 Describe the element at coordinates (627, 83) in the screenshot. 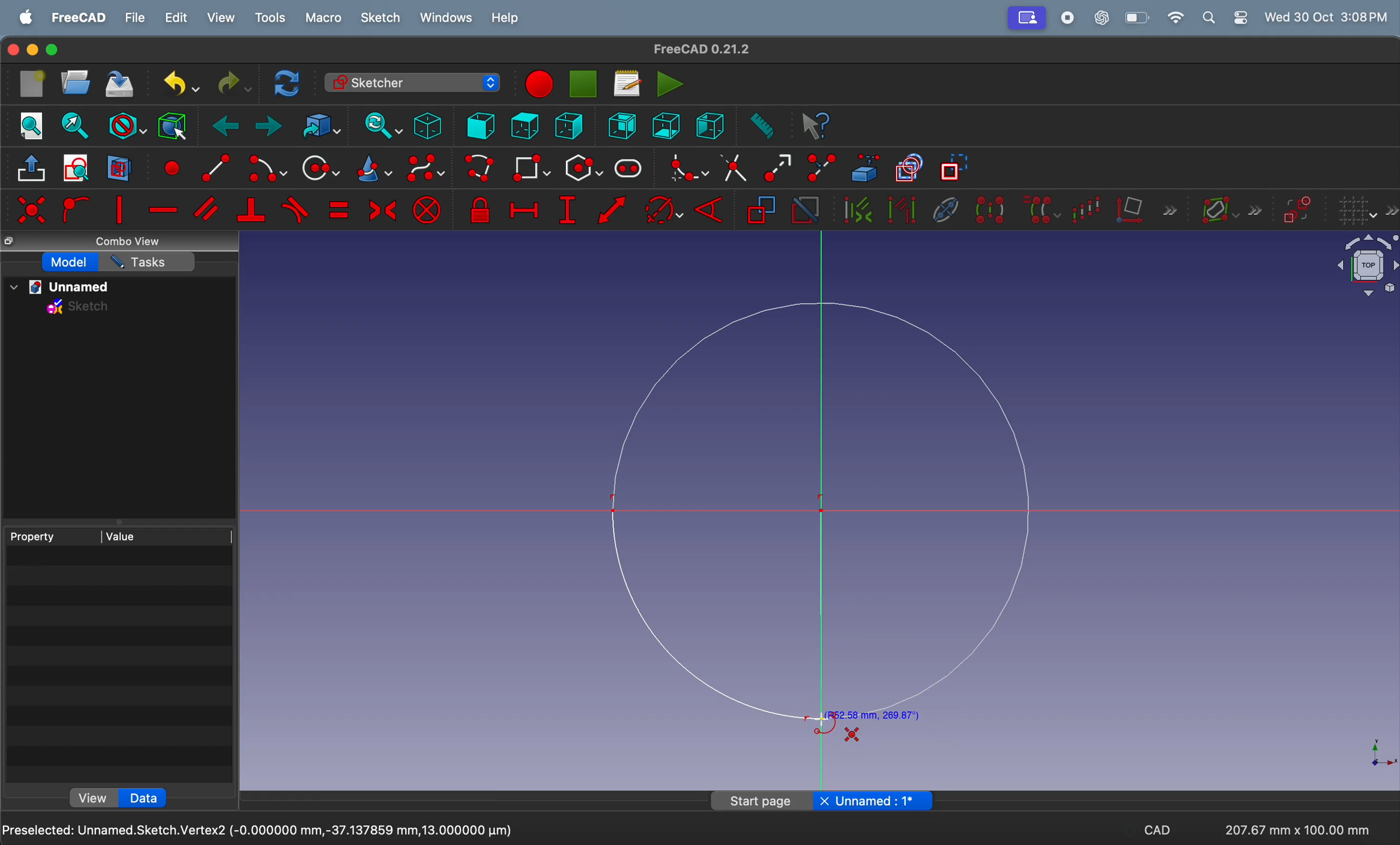

I see `read marco` at that location.